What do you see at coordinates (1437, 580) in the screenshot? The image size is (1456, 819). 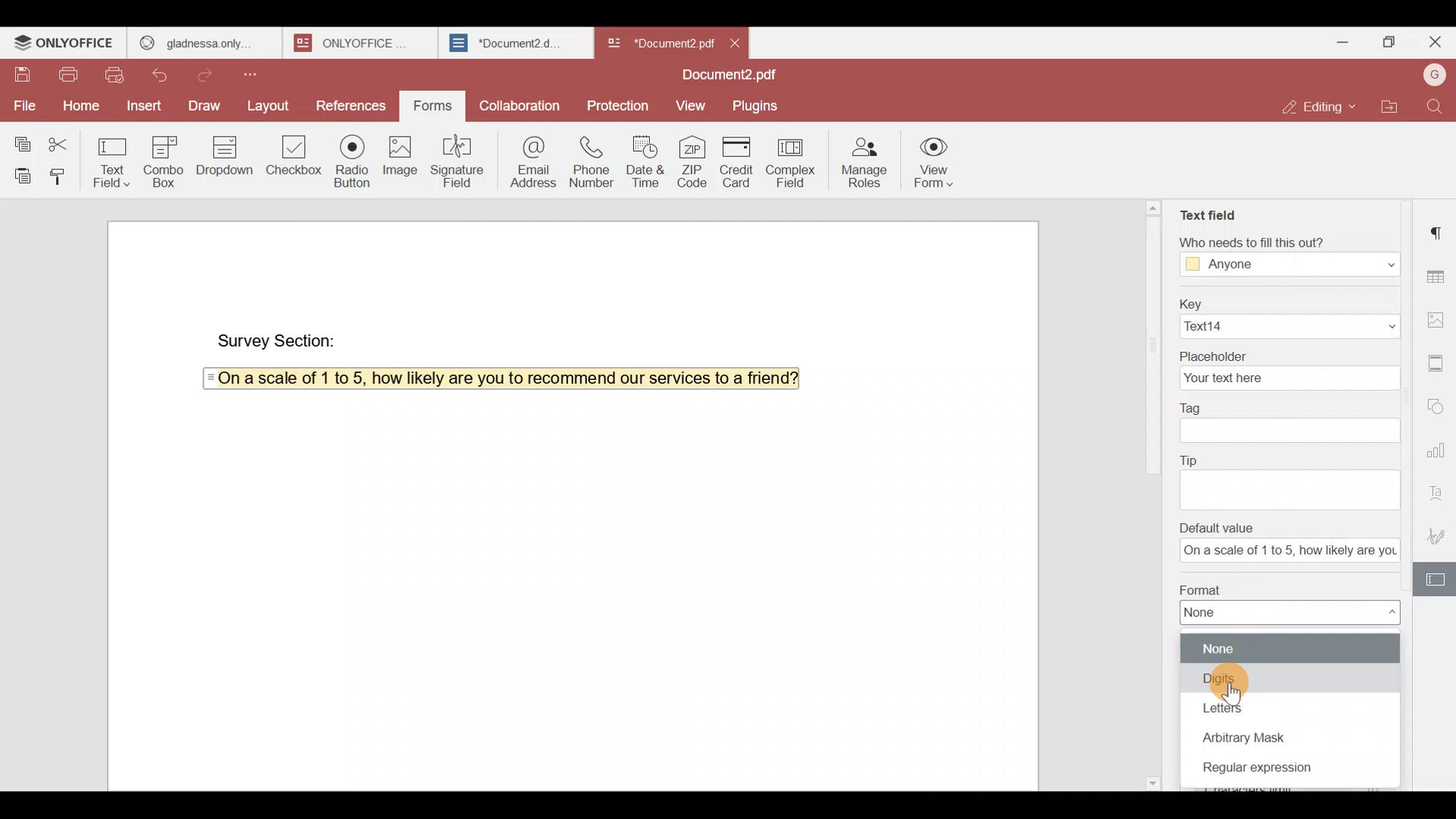 I see `Form settings` at bounding box center [1437, 580].